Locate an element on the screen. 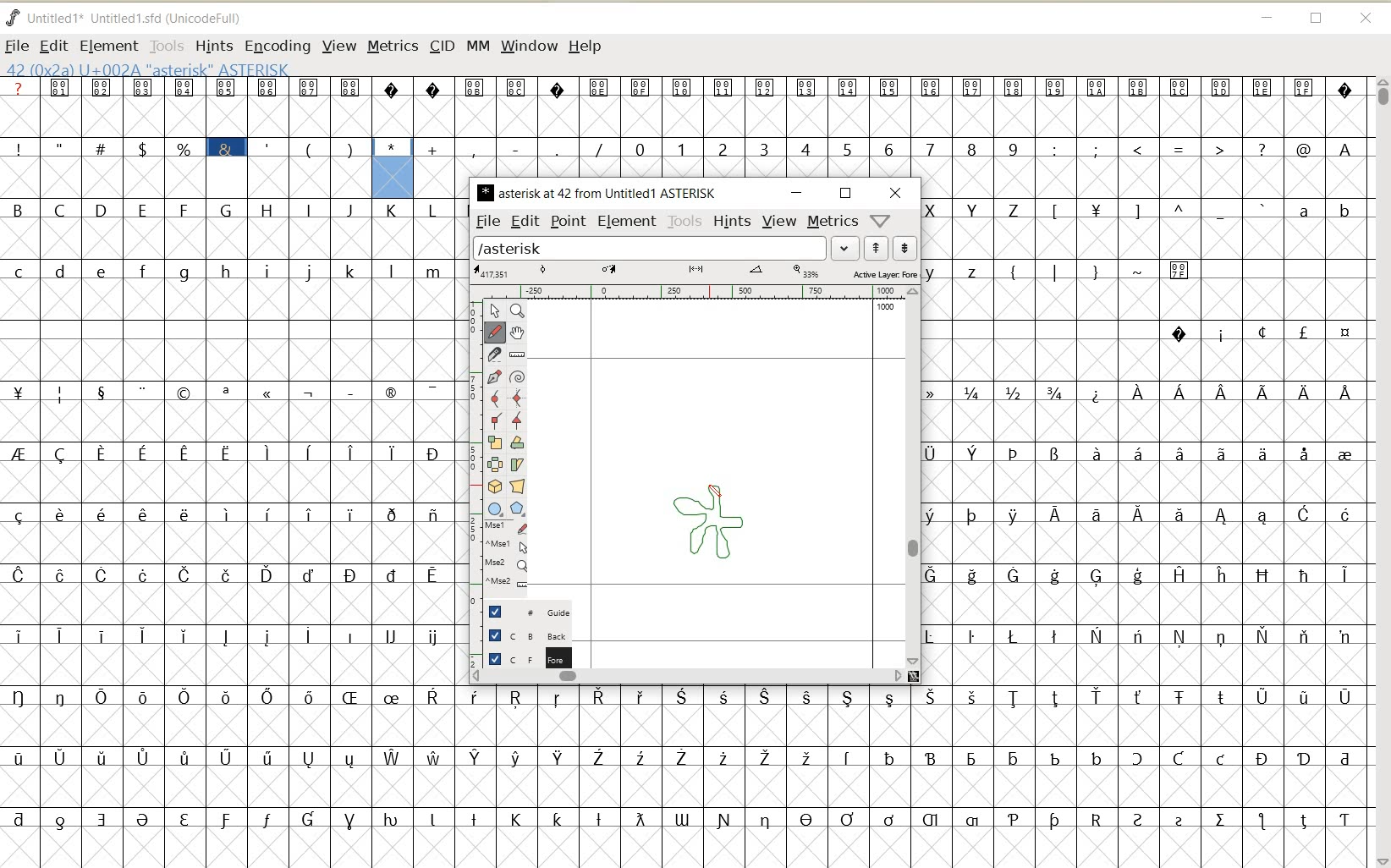 The height and width of the screenshot is (868, 1391). measure distance, angle between points is located at coordinates (517, 356).